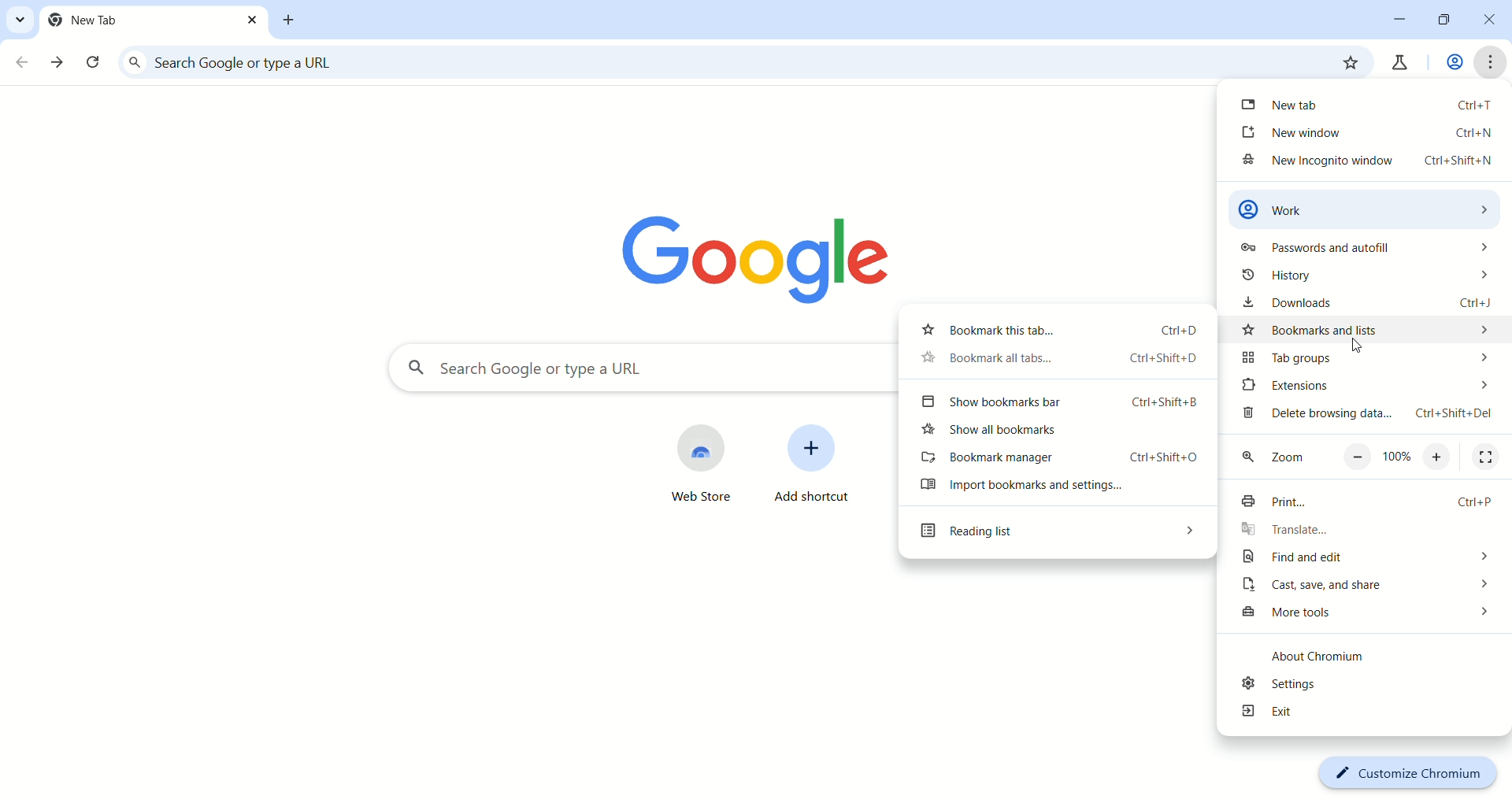  What do you see at coordinates (1368, 531) in the screenshot?
I see `translate` at bounding box center [1368, 531].